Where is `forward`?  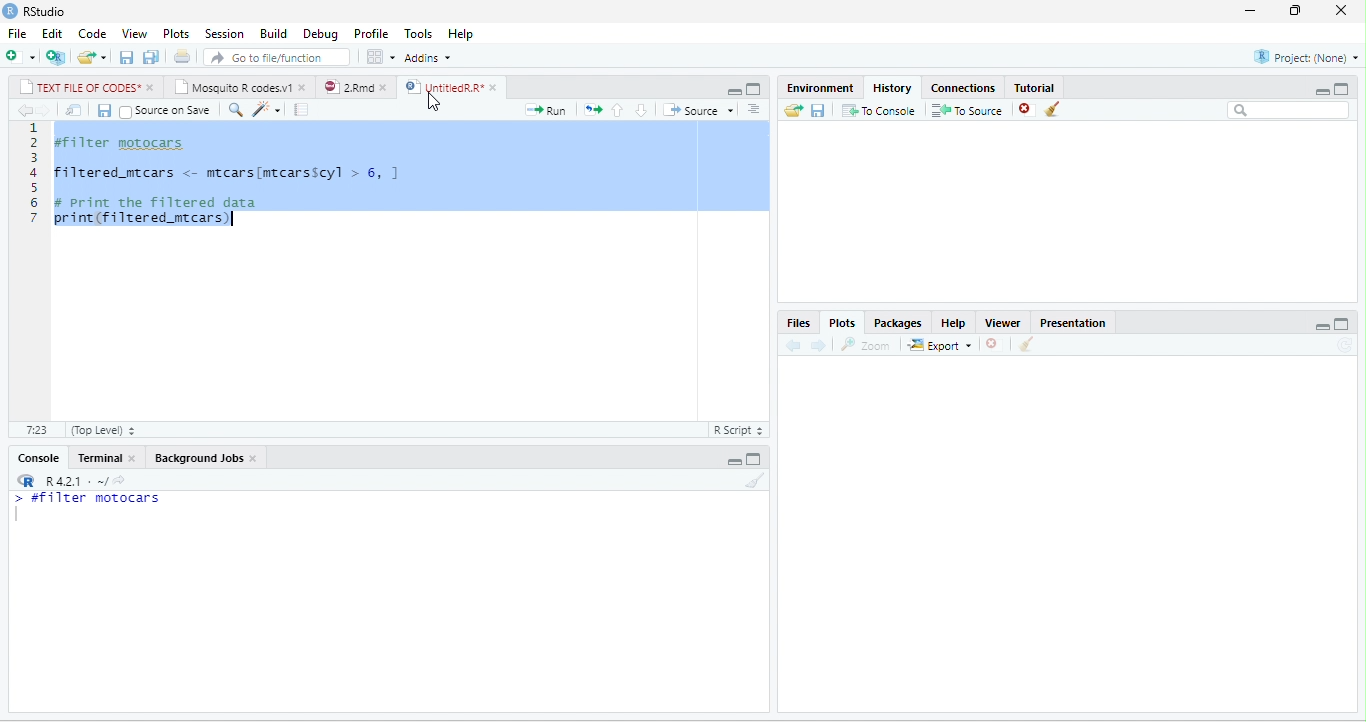 forward is located at coordinates (44, 110).